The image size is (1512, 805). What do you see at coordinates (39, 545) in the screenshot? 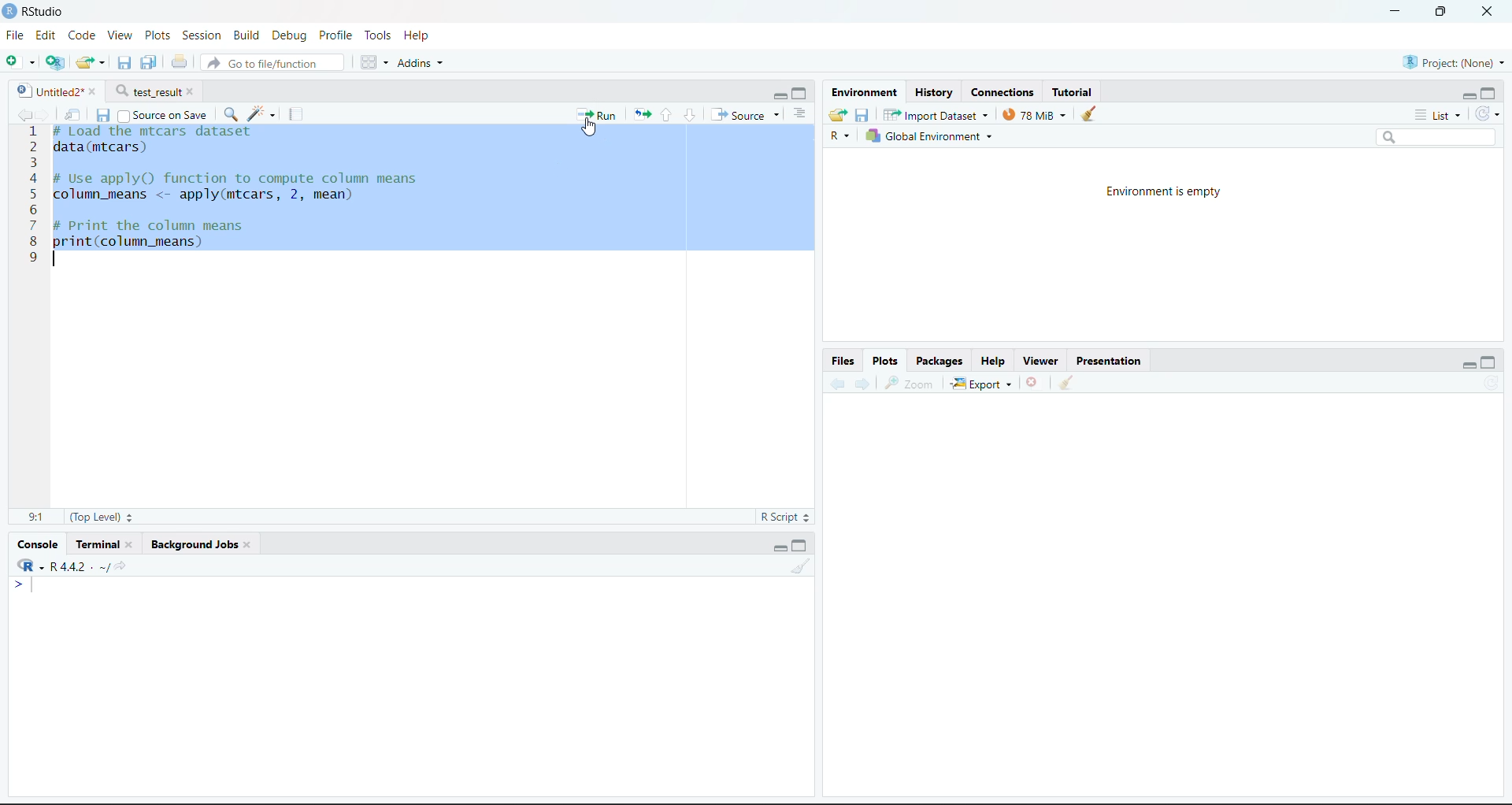
I see `Console` at bounding box center [39, 545].